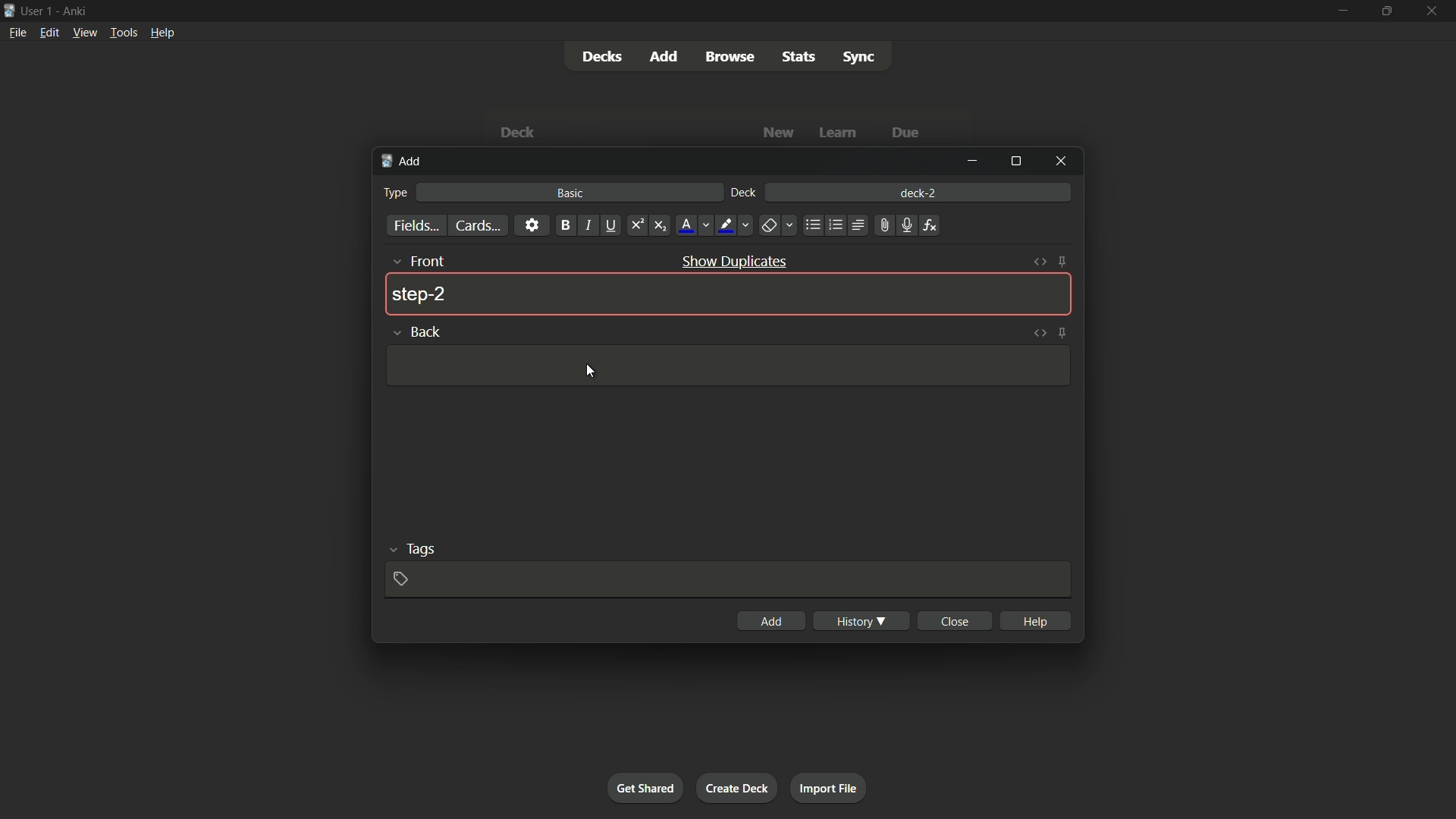  What do you see at coordinates (660, 226) in the screenshot?
I see `subscript` at bounding box center [660, 226].